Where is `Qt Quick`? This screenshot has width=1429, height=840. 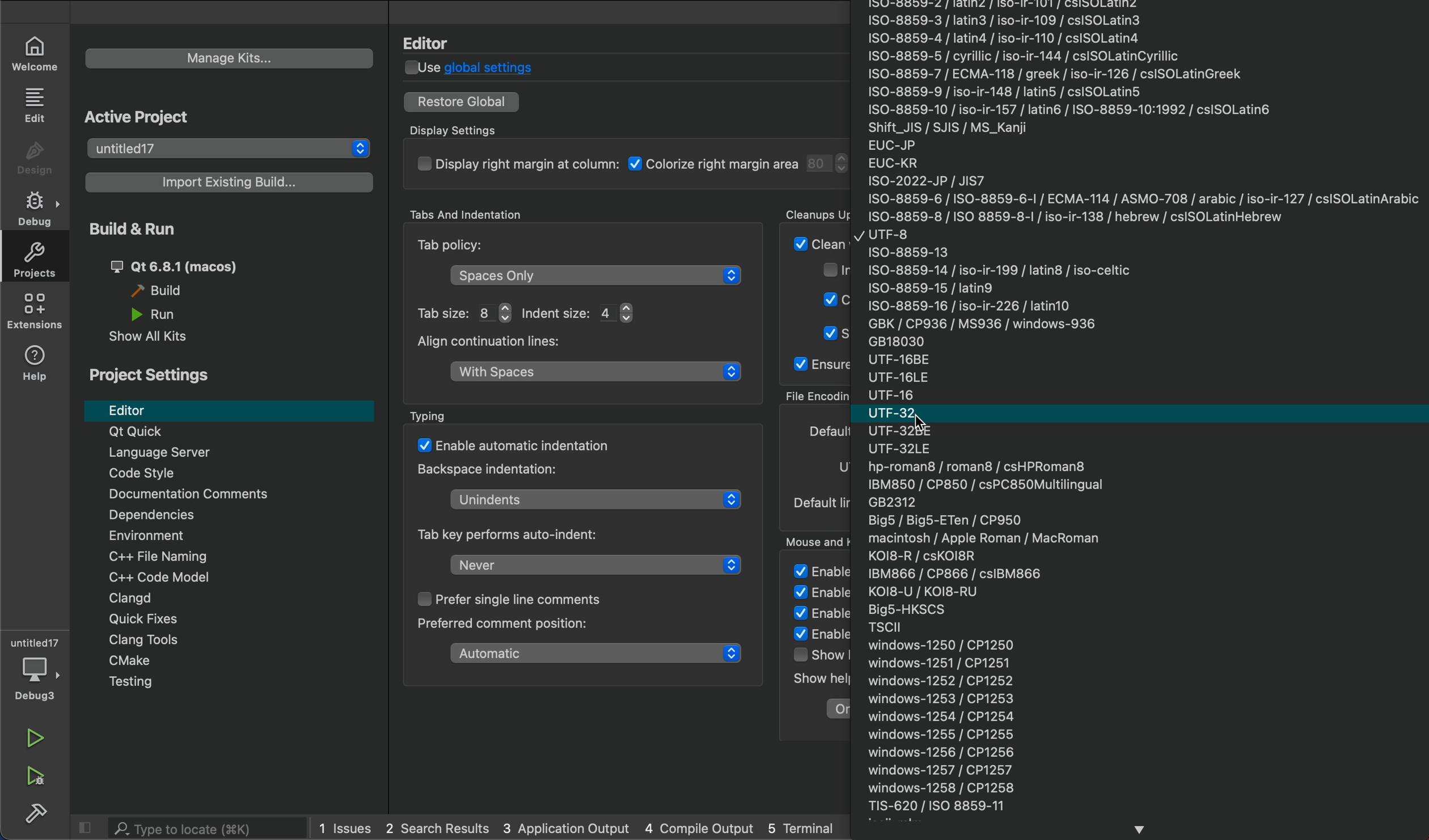 Qt Quick is located at coordinates (226, 432).